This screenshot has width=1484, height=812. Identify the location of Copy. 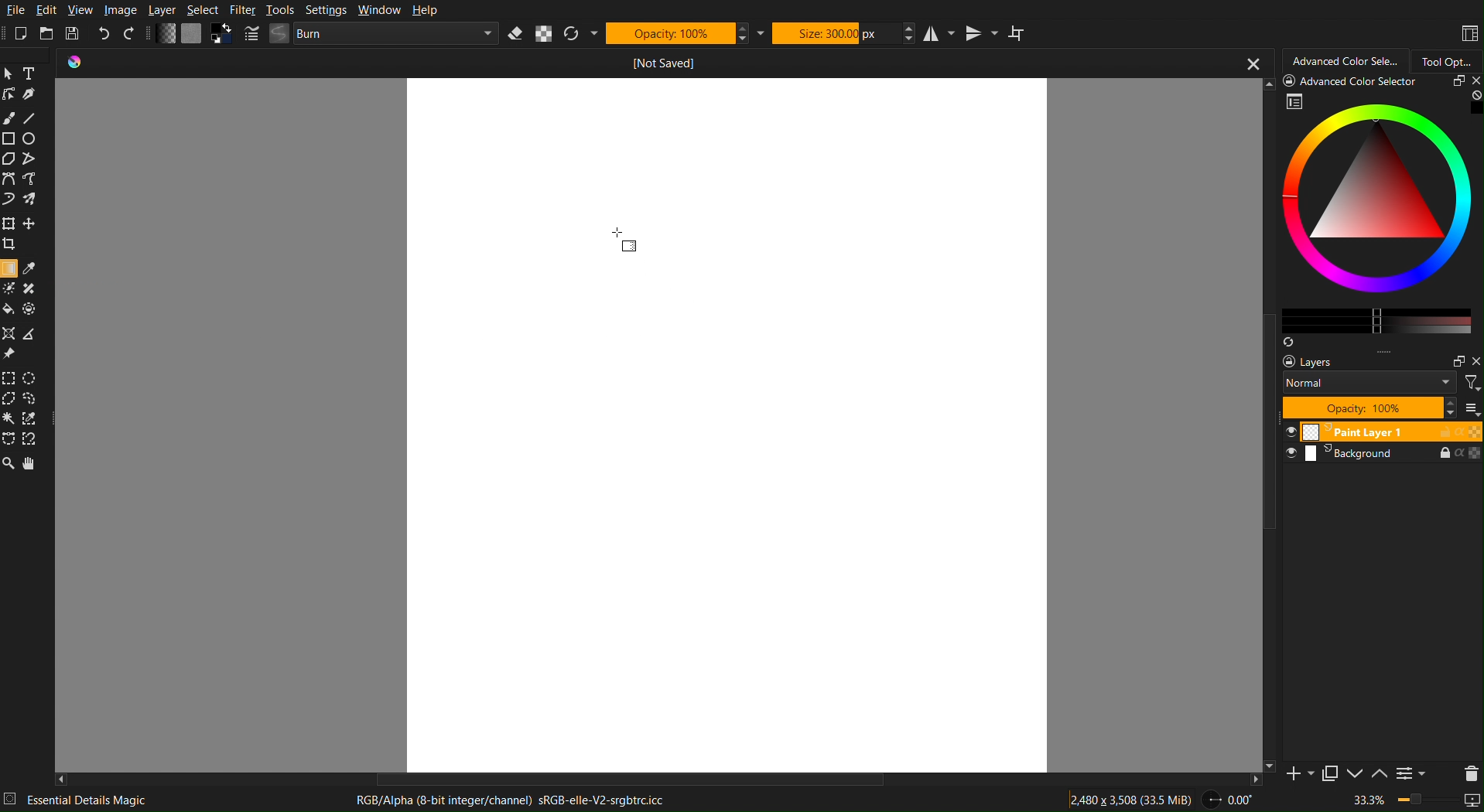
(1330, 776).